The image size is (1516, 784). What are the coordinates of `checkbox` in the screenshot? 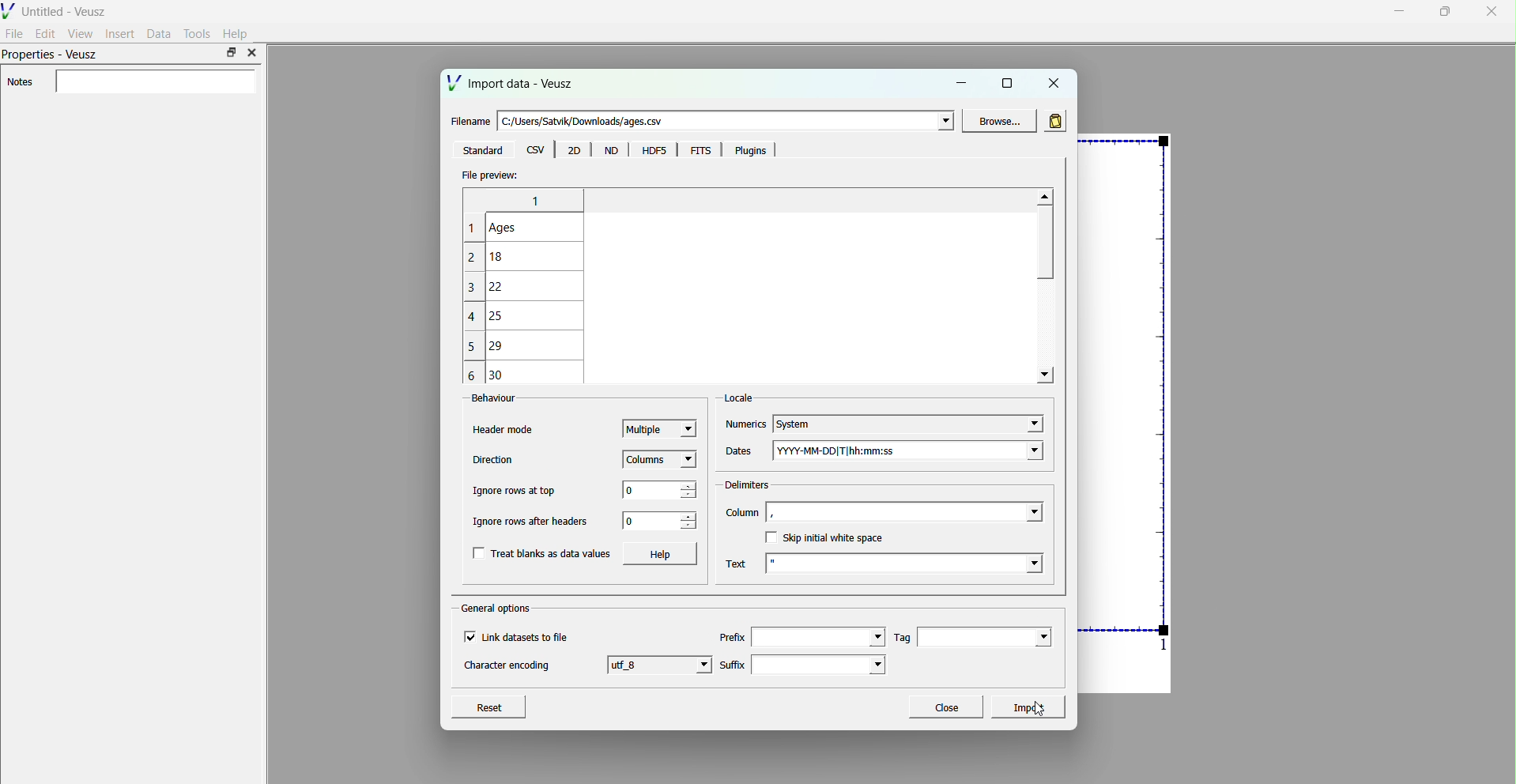 It's located at (469, 637).